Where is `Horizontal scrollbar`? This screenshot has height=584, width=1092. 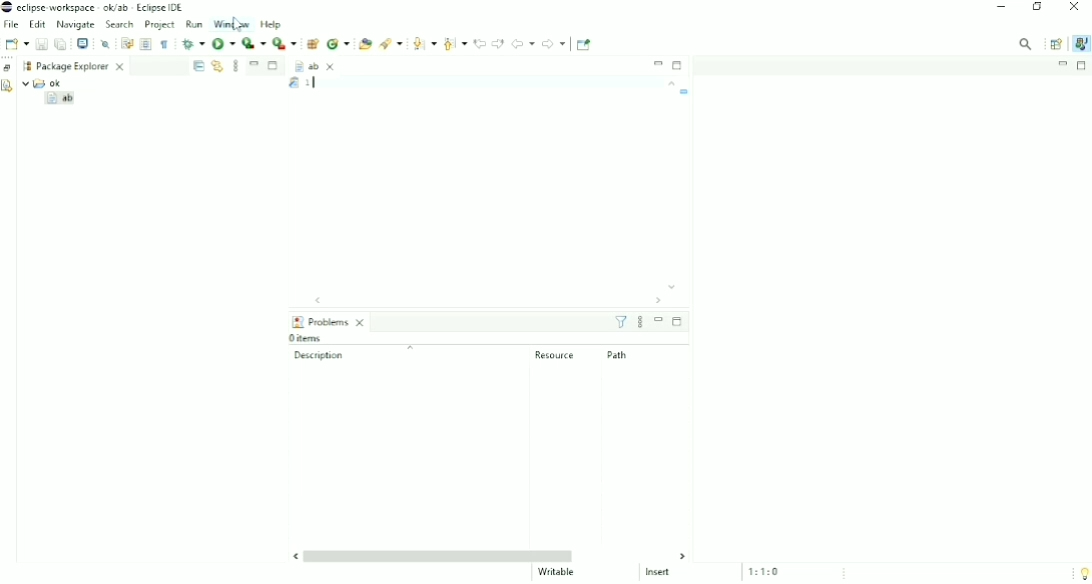
Horizontal scrollbar is located at coordinates (493, 555).